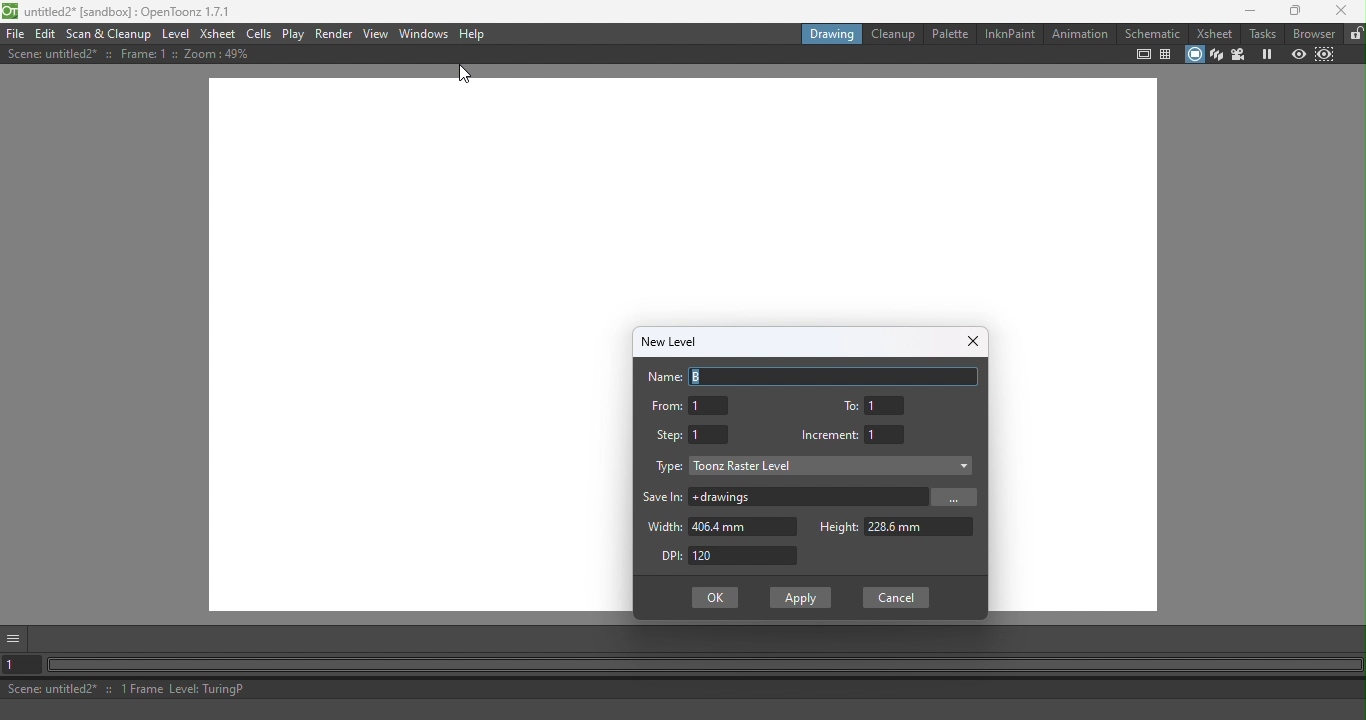 This screenshot has width=1366, height=720. What do you see at coordinates (660, 377) in the screenshot?
I see `Name` at bounding box center [660, 377].